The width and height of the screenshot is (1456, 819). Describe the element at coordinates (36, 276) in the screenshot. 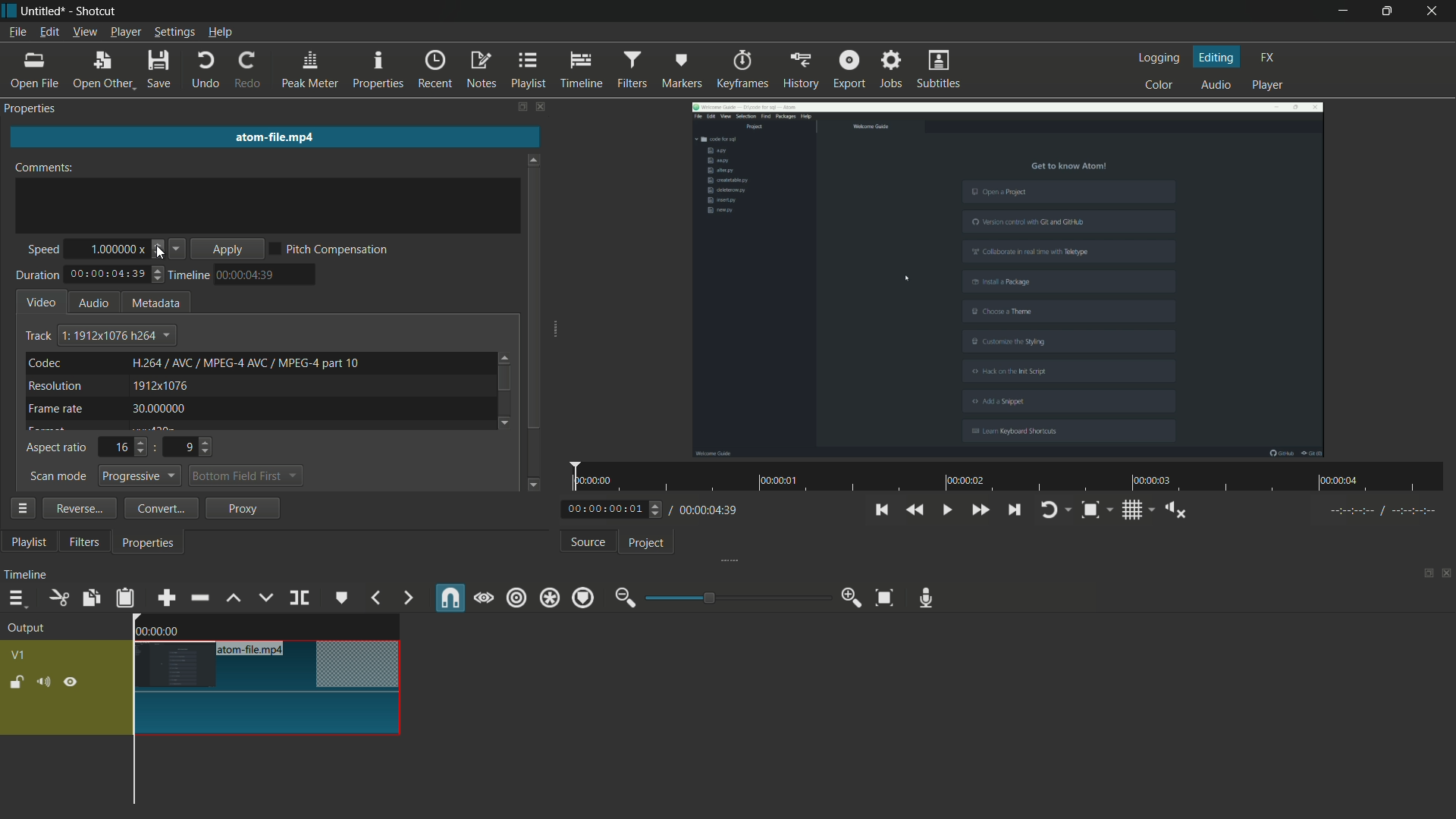

I see `duration` at that location.